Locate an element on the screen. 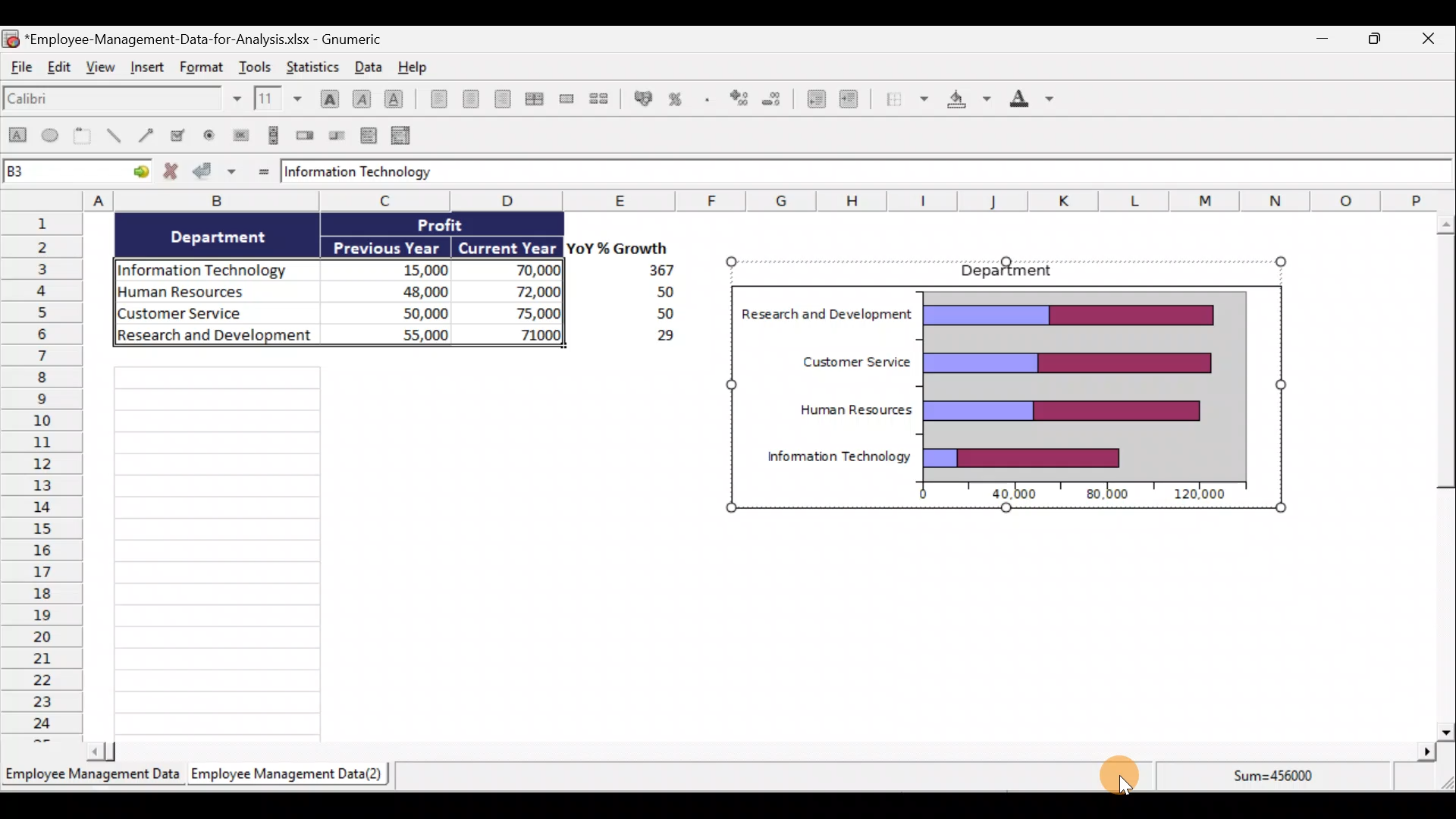 The width and height of the screenshot is (1456, 819). Previous Year is located at coordinates (388, 245).